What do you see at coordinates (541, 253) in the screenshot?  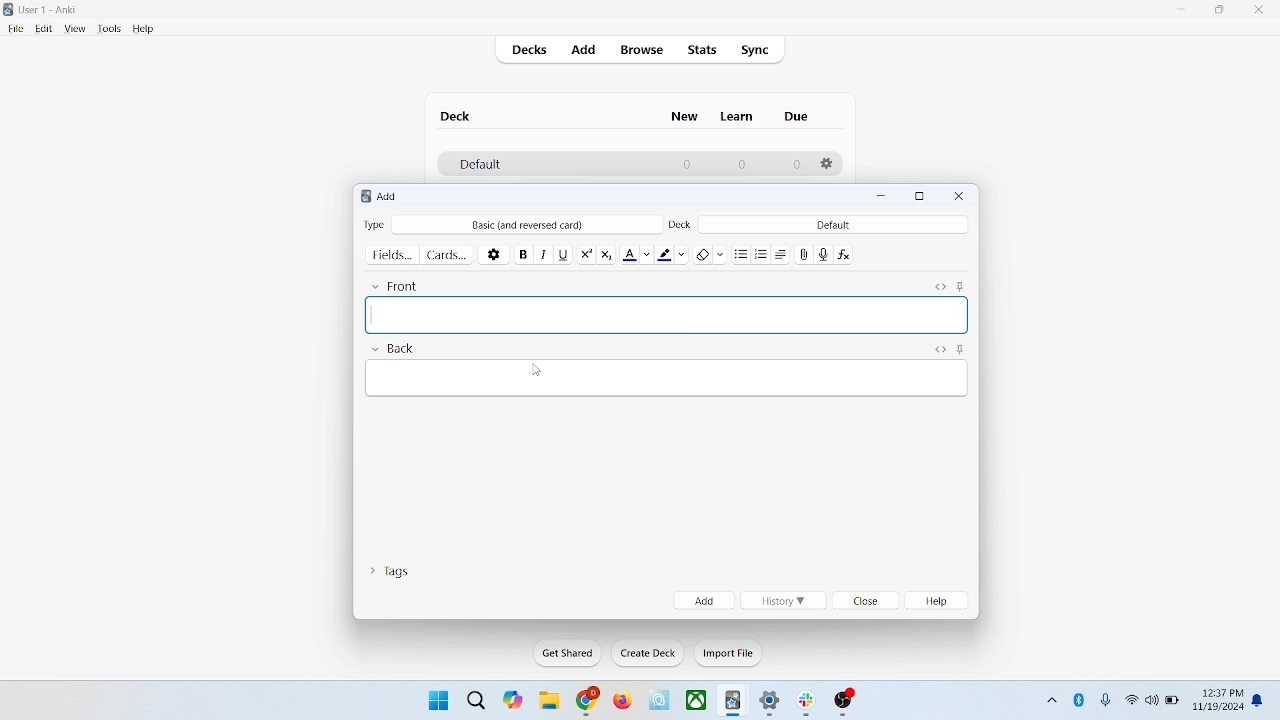 I see `italics` at bounding box center [541, 253].